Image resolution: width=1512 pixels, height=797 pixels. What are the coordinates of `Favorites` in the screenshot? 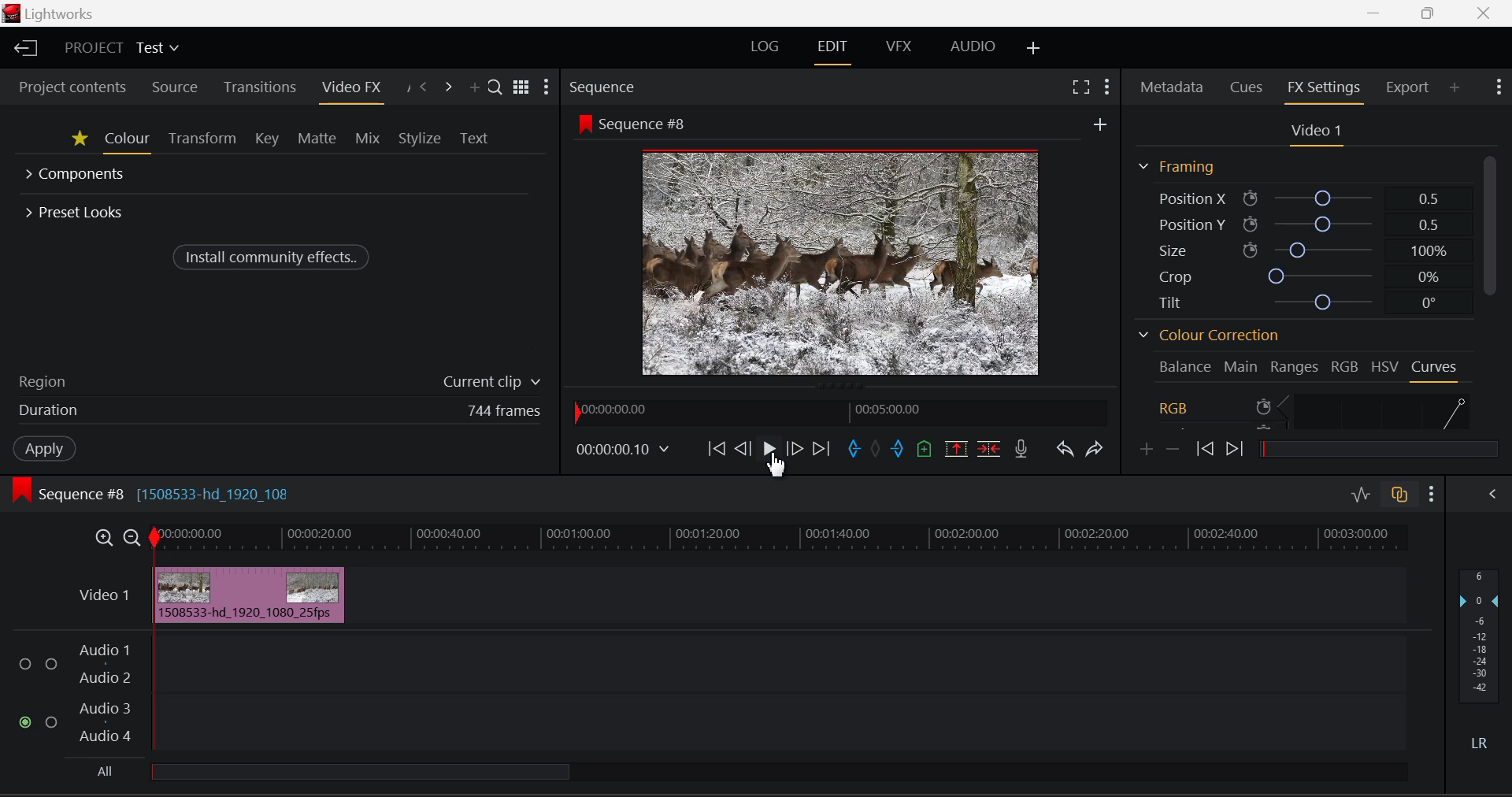 It's located at (79, 141).